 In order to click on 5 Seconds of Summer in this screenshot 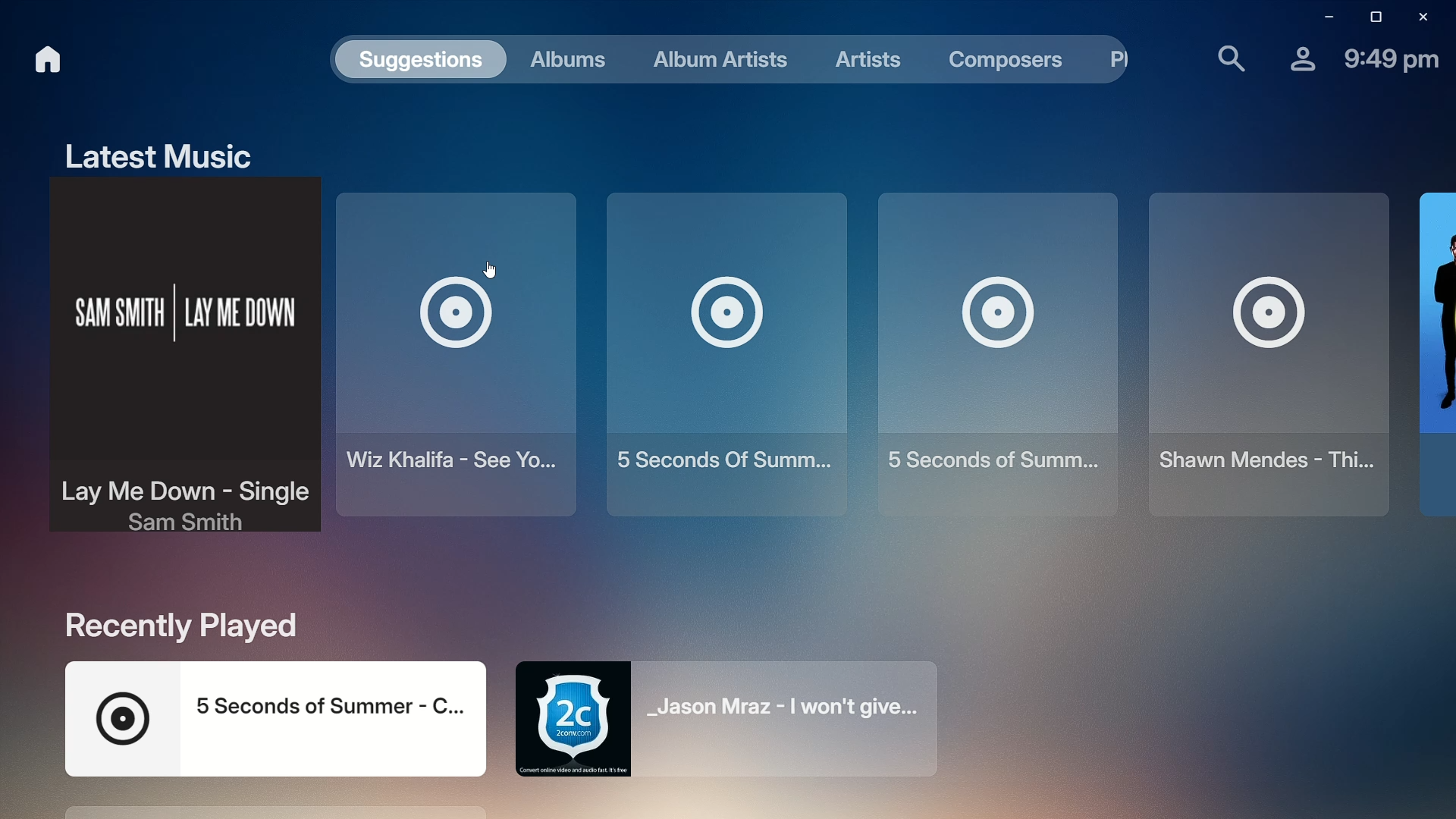, I will do `click(270, 717)`.